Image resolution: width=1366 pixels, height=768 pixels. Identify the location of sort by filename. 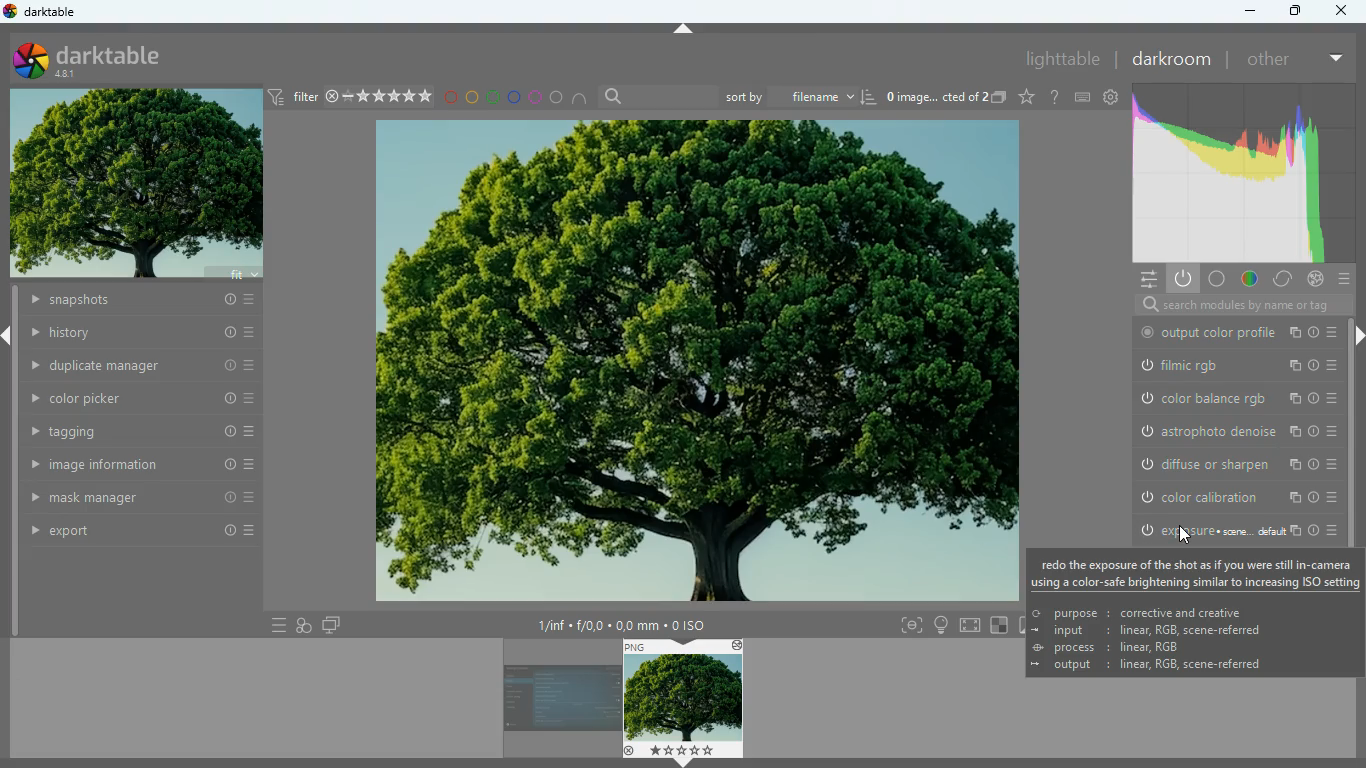
(799, 95).